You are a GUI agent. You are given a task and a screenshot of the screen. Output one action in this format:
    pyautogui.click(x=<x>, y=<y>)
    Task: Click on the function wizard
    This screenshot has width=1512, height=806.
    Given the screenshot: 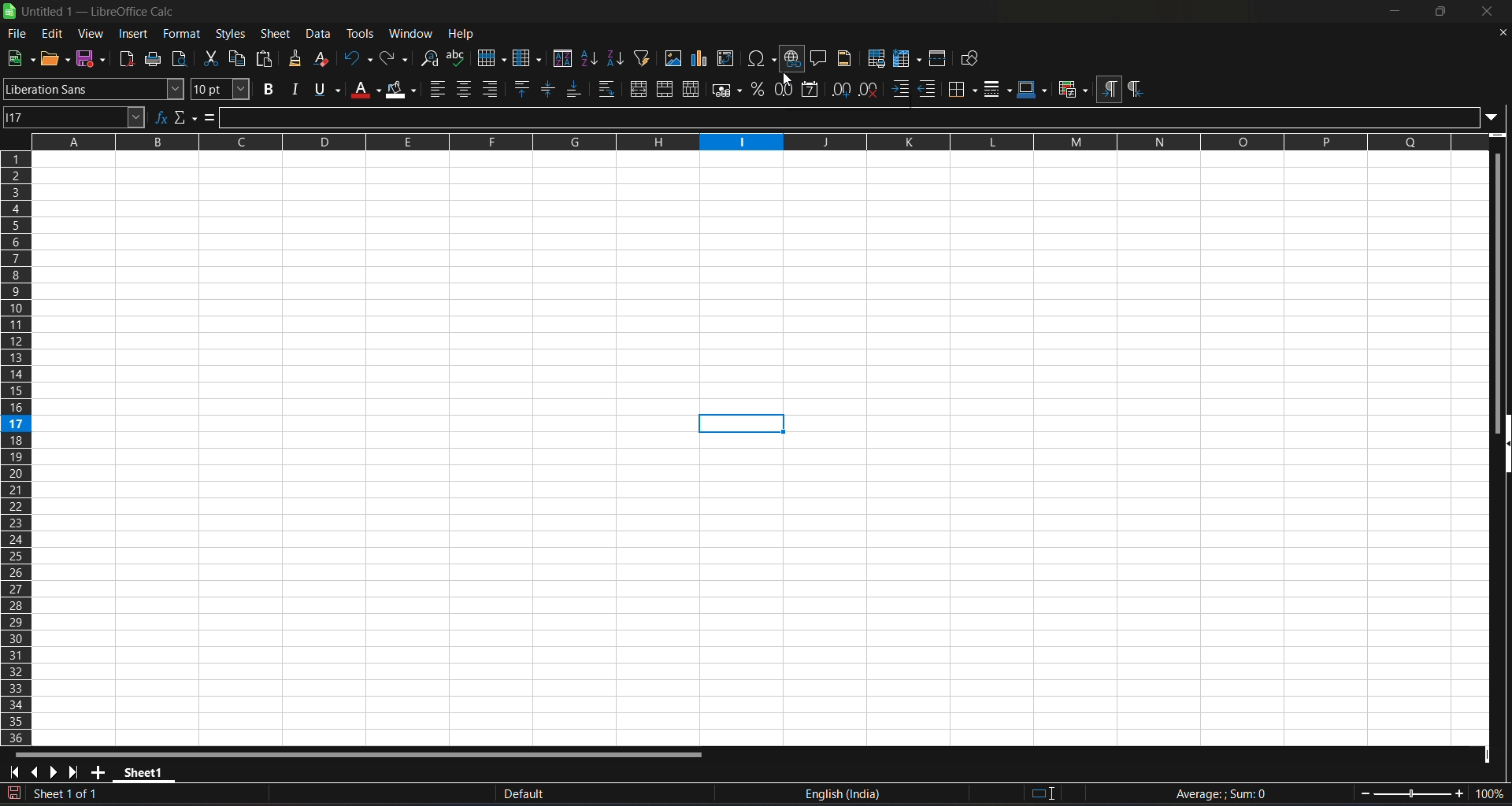 What is the action you would take?
    pyautogui.click(x=162, y=117)
    